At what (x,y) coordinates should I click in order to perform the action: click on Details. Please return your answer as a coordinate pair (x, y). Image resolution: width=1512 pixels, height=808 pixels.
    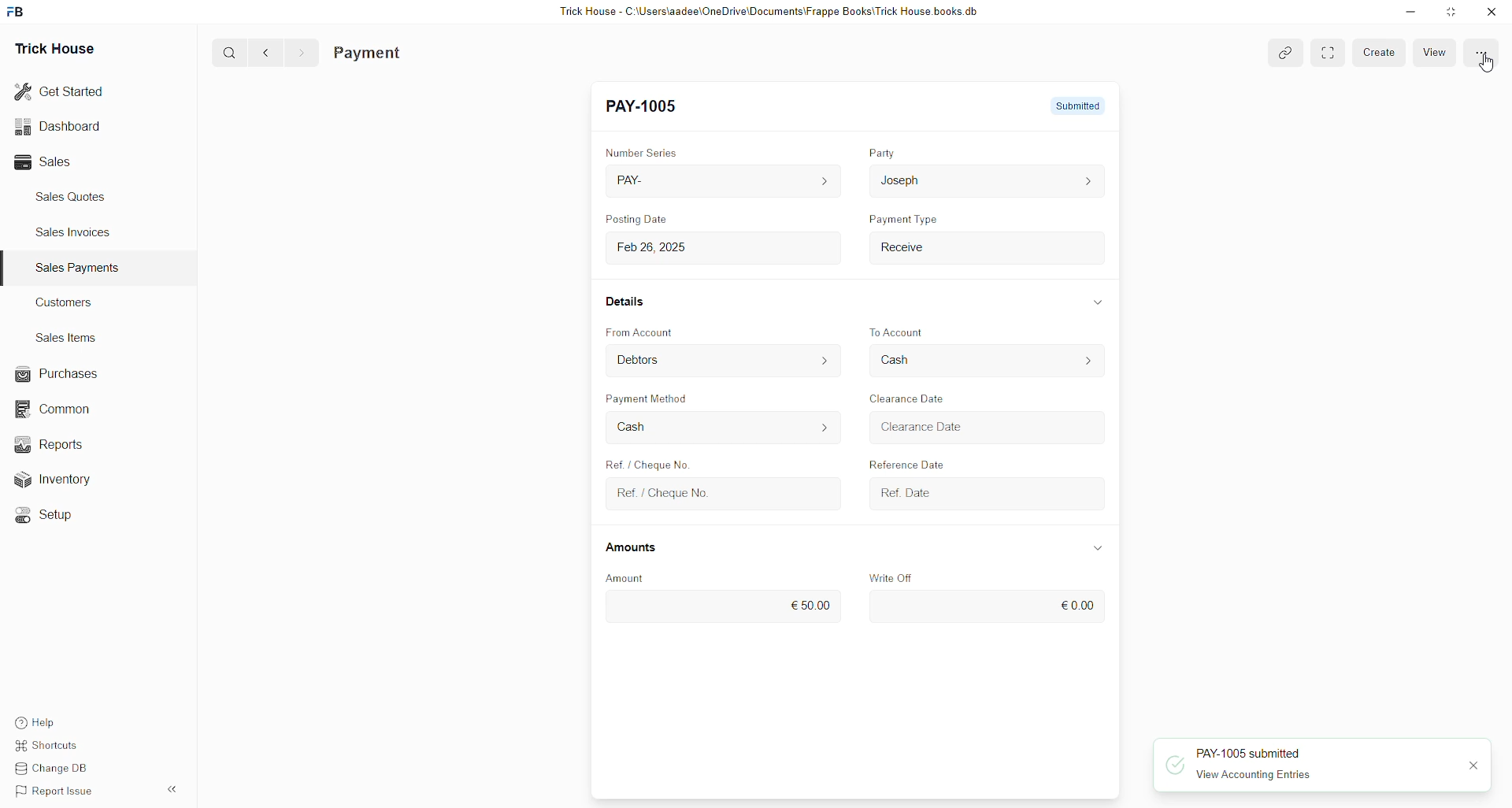
    Looking at the image, I should click on (627, 301).